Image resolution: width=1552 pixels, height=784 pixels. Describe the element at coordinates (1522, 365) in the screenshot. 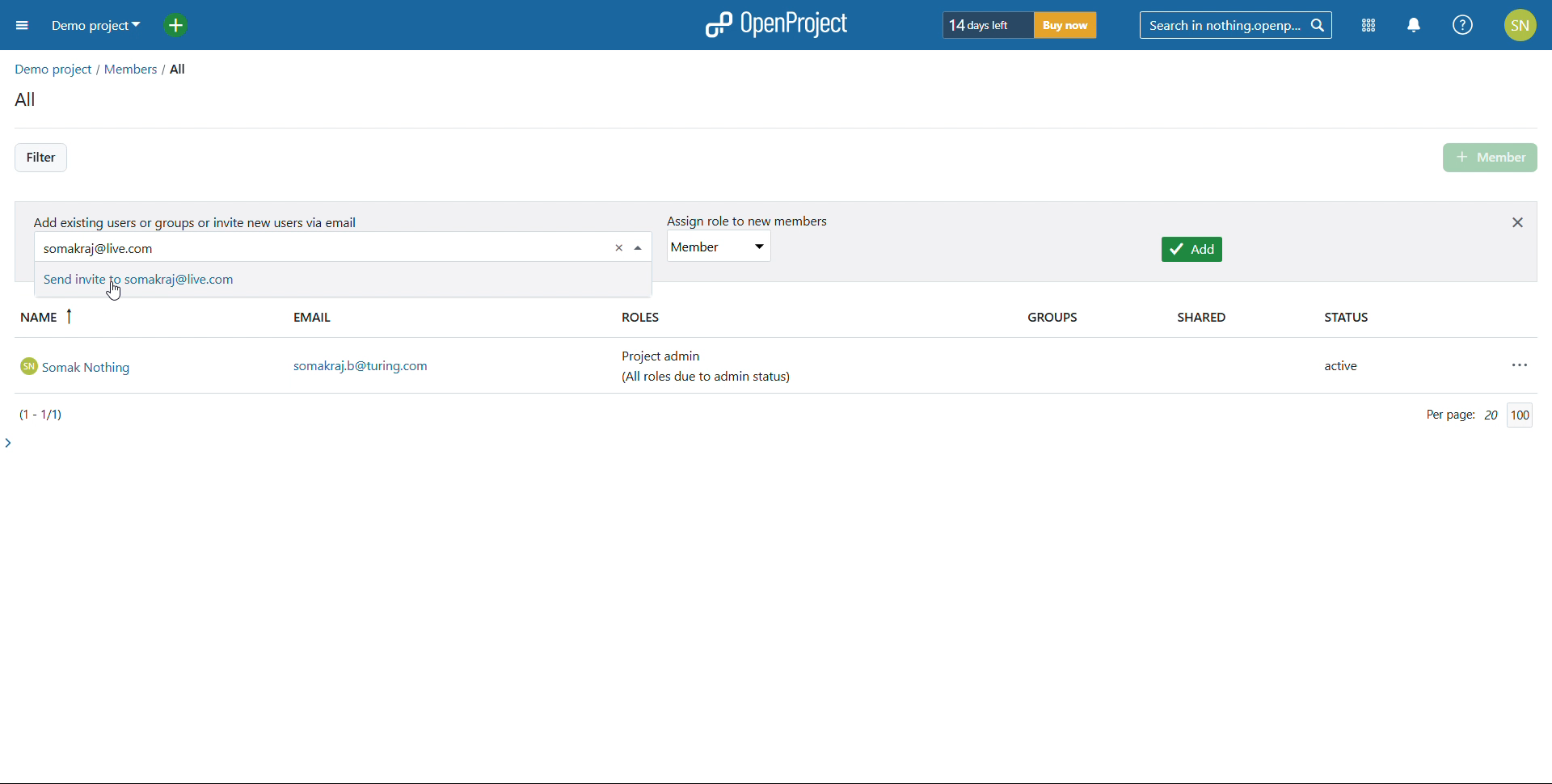

I see `actions` at that location.